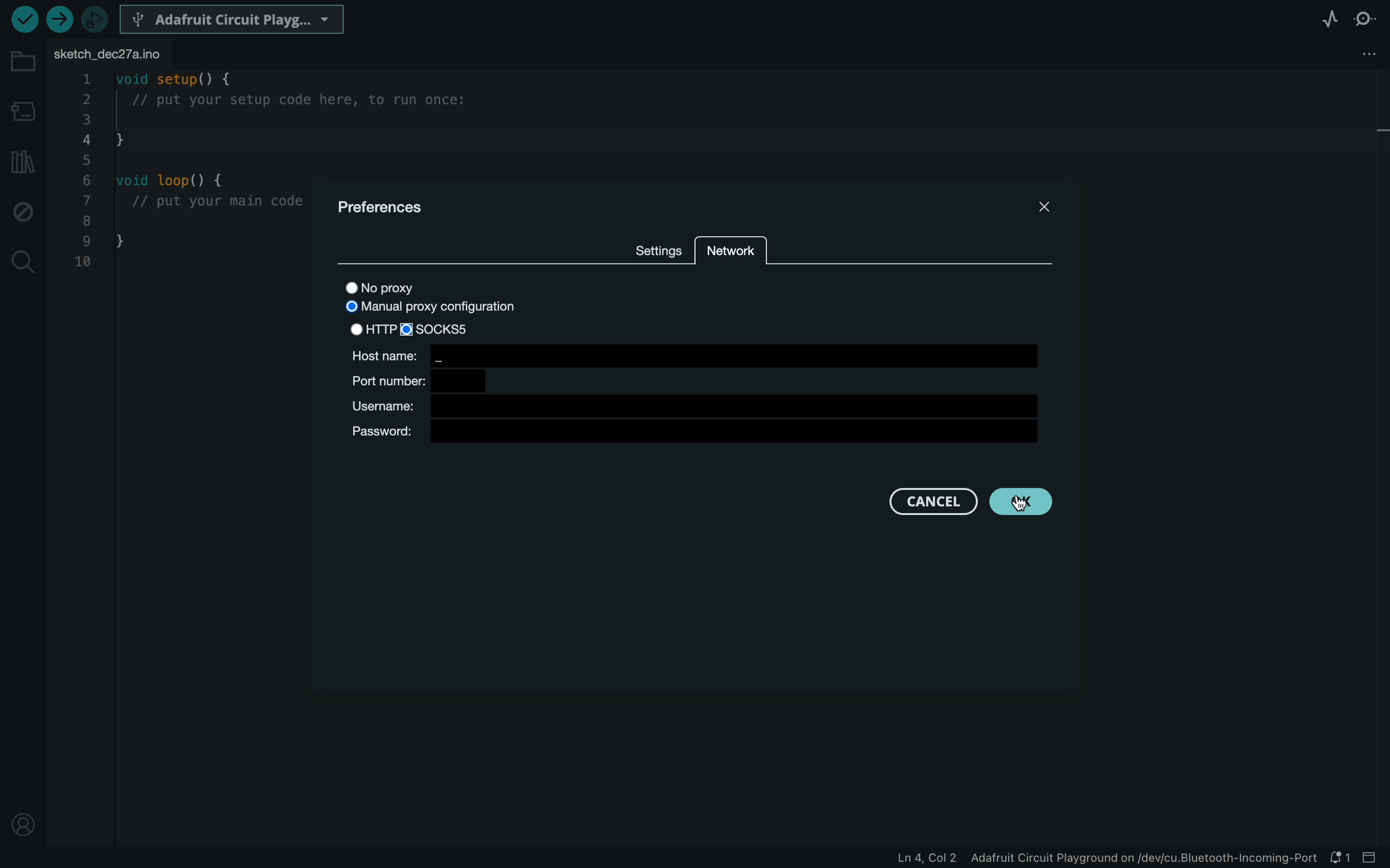 The height and width of the screenshot is (868, 1390). Describe the element at coordinates (658, 253) in the screenshot. I see `settings` at that location.